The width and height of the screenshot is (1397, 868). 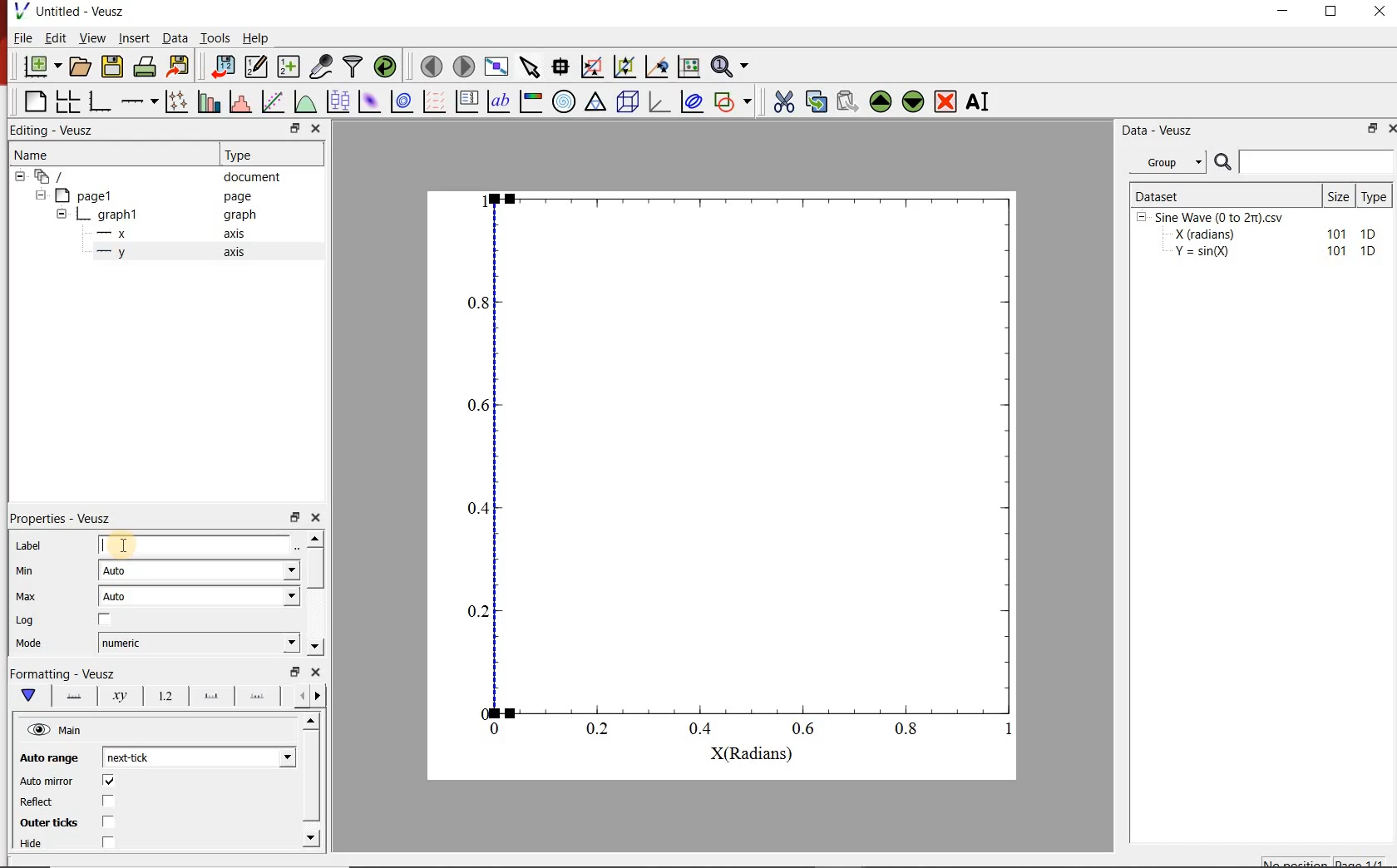 I want to click on next-tick, so click(x=196, y=756).